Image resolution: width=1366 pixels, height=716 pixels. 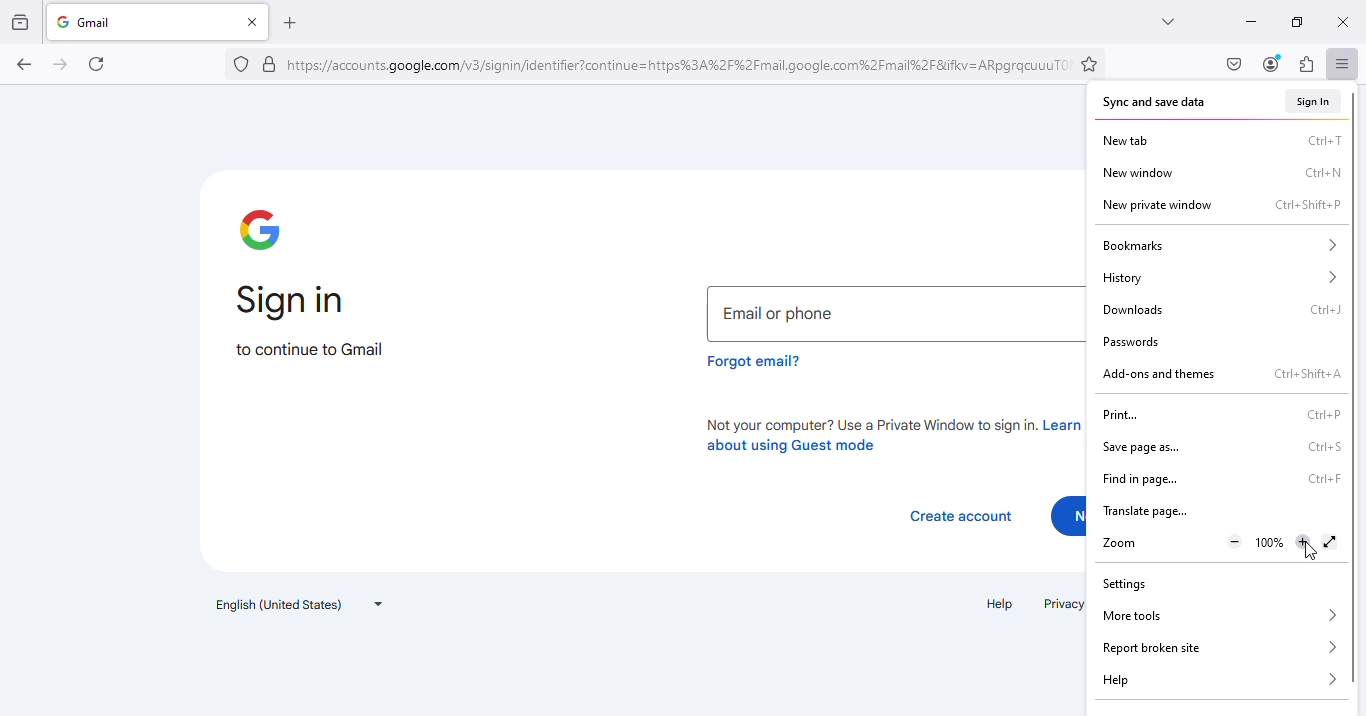 What do you see at coordinates (1124, 415) in the screenshot?
I see `print` at bounding box center [1124, 415].